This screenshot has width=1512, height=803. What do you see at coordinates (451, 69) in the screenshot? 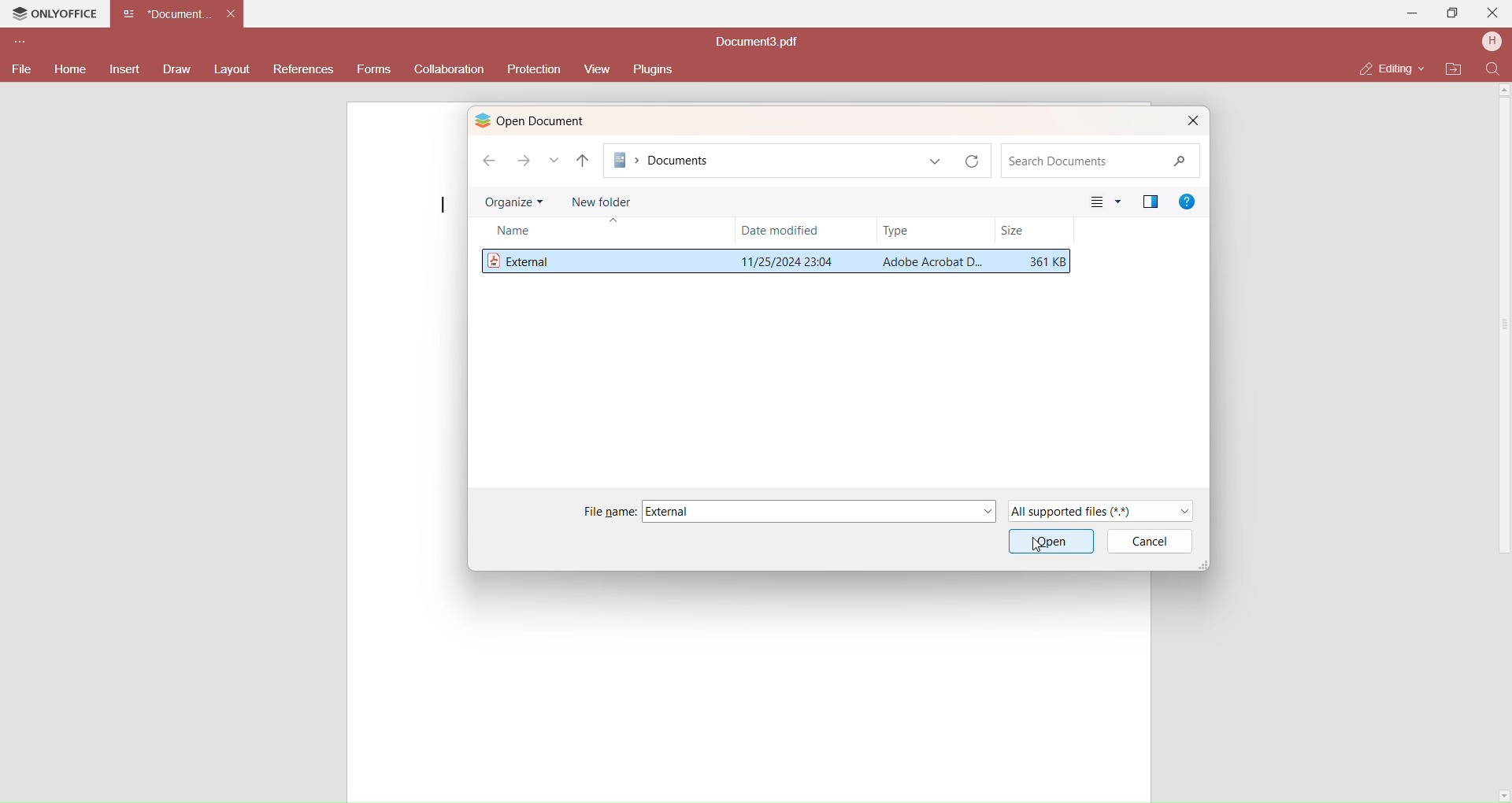
I see `Collaboration` at bounding box center [451, 69].